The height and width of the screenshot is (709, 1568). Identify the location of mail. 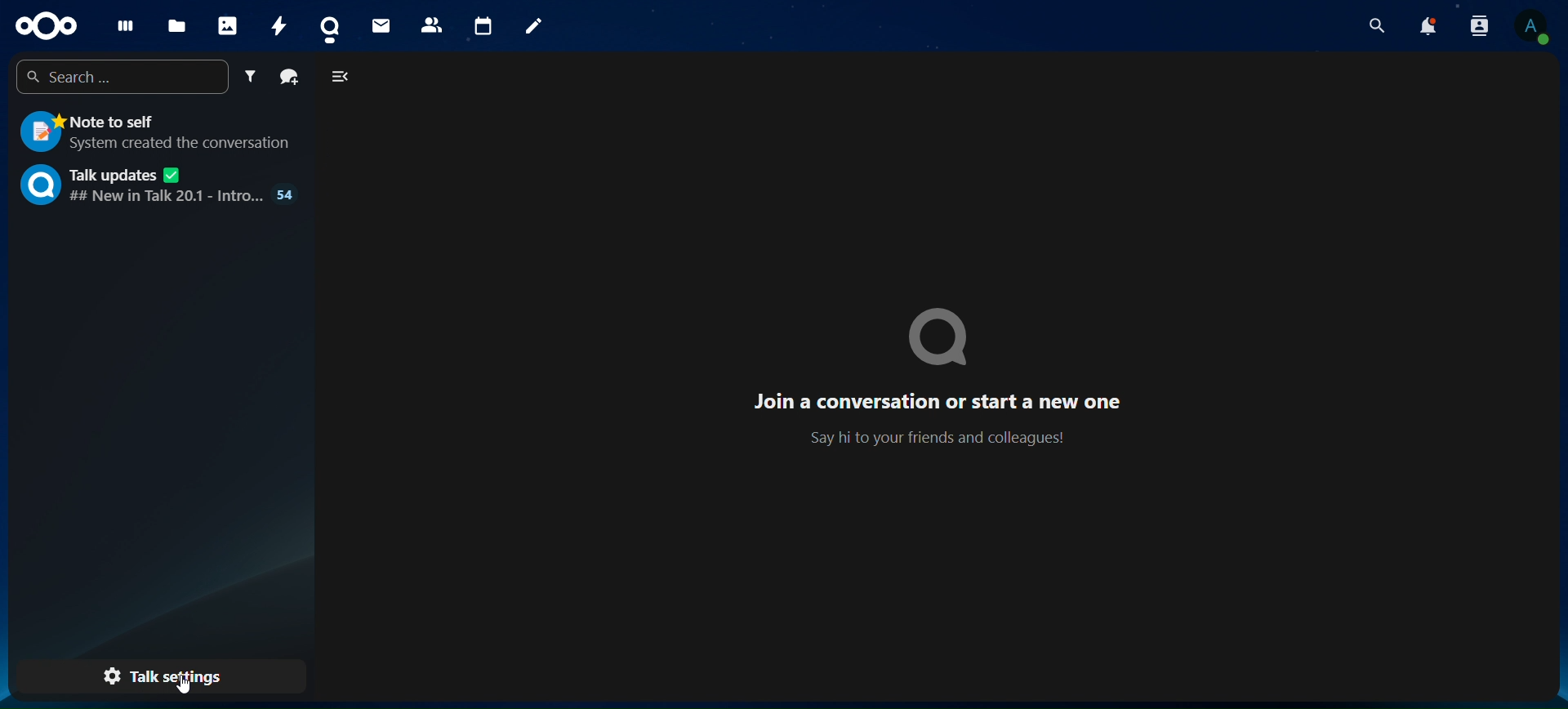
(381, 24).